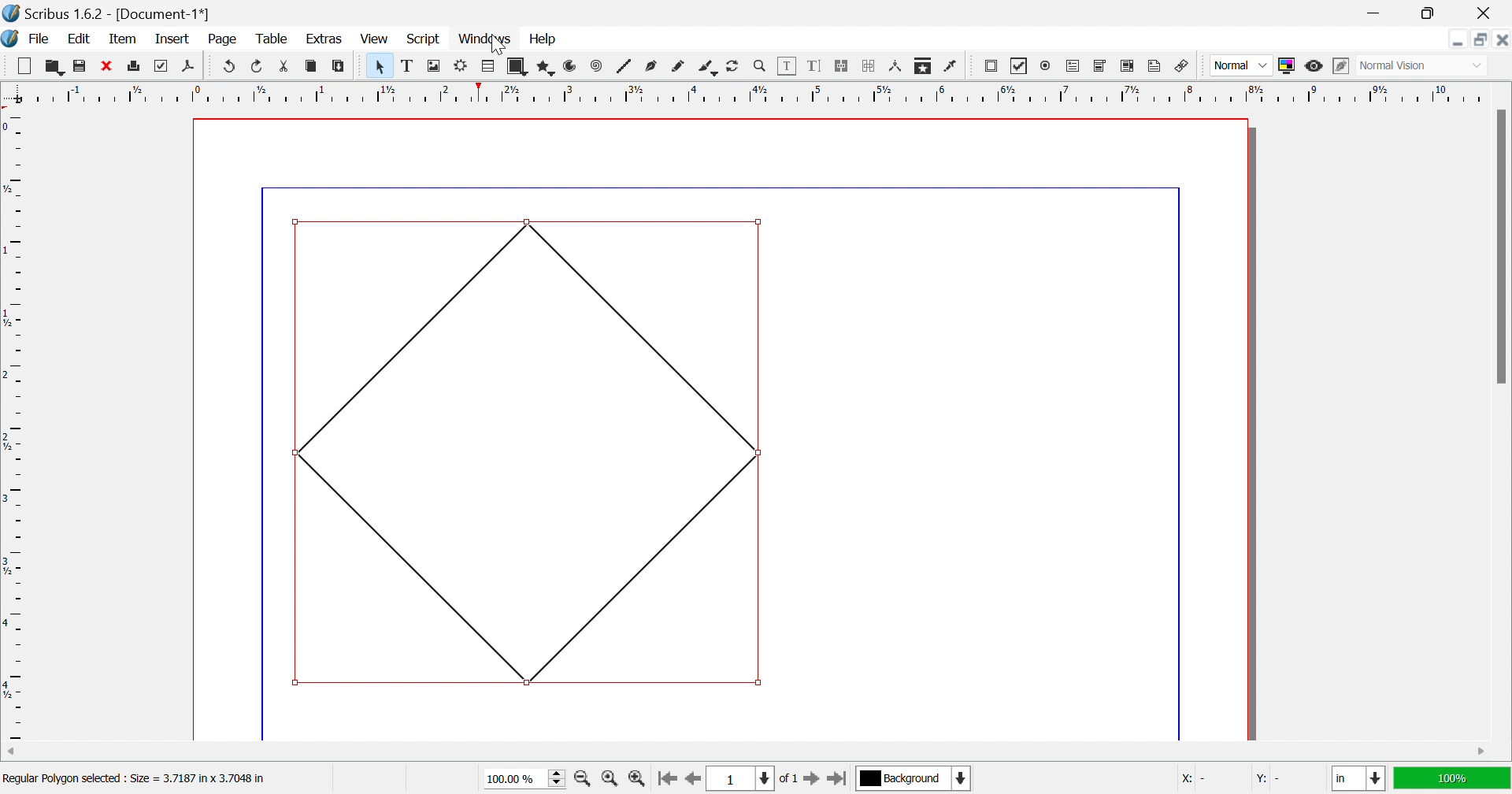 This screenshot has width=1512, height=794. I want to click on Calligraphic line, so click(707, 69).